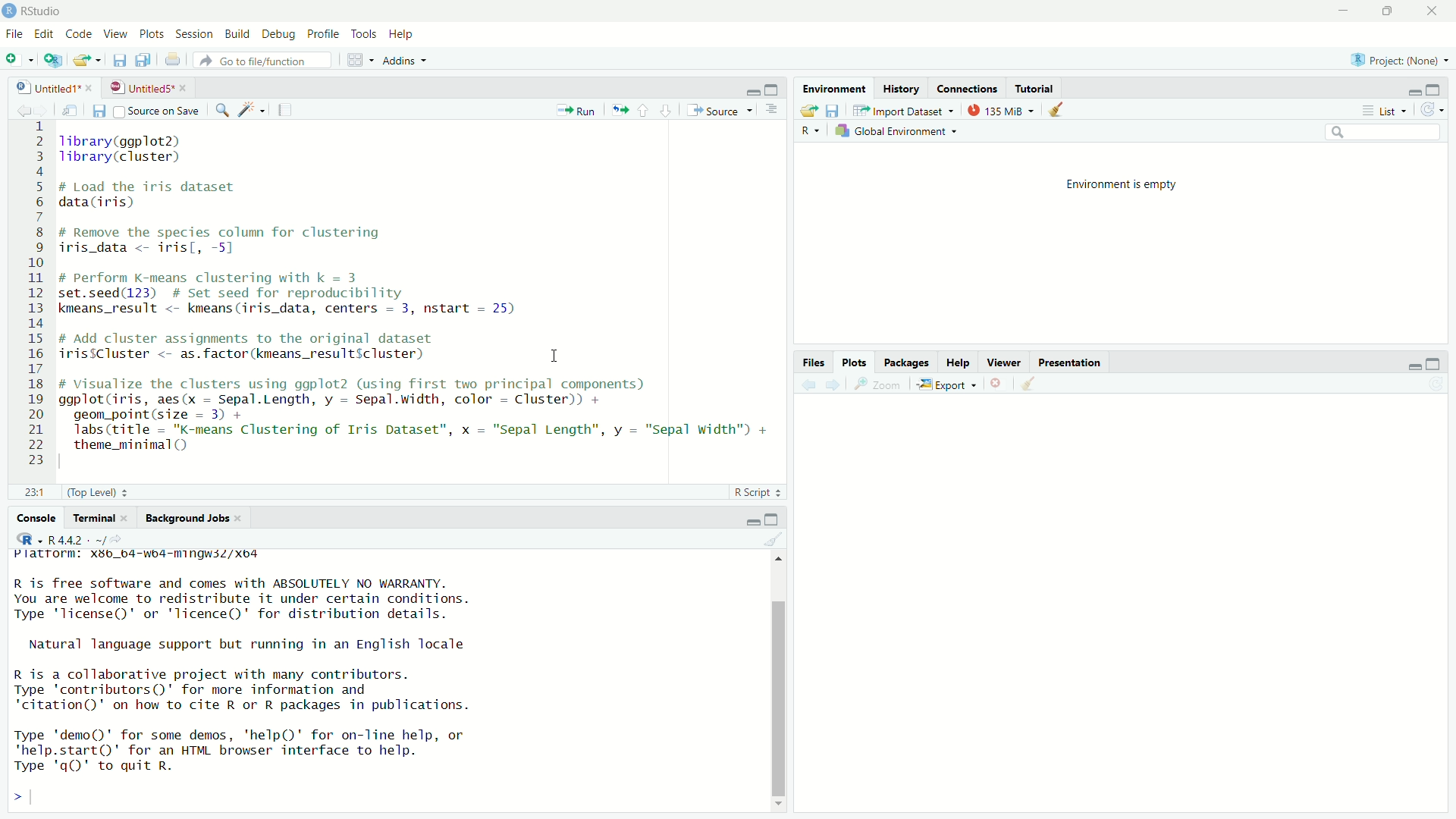  Describe the element at coordinates (618, 108) in the screenshot. I see `re-run the previous code region` at that location.